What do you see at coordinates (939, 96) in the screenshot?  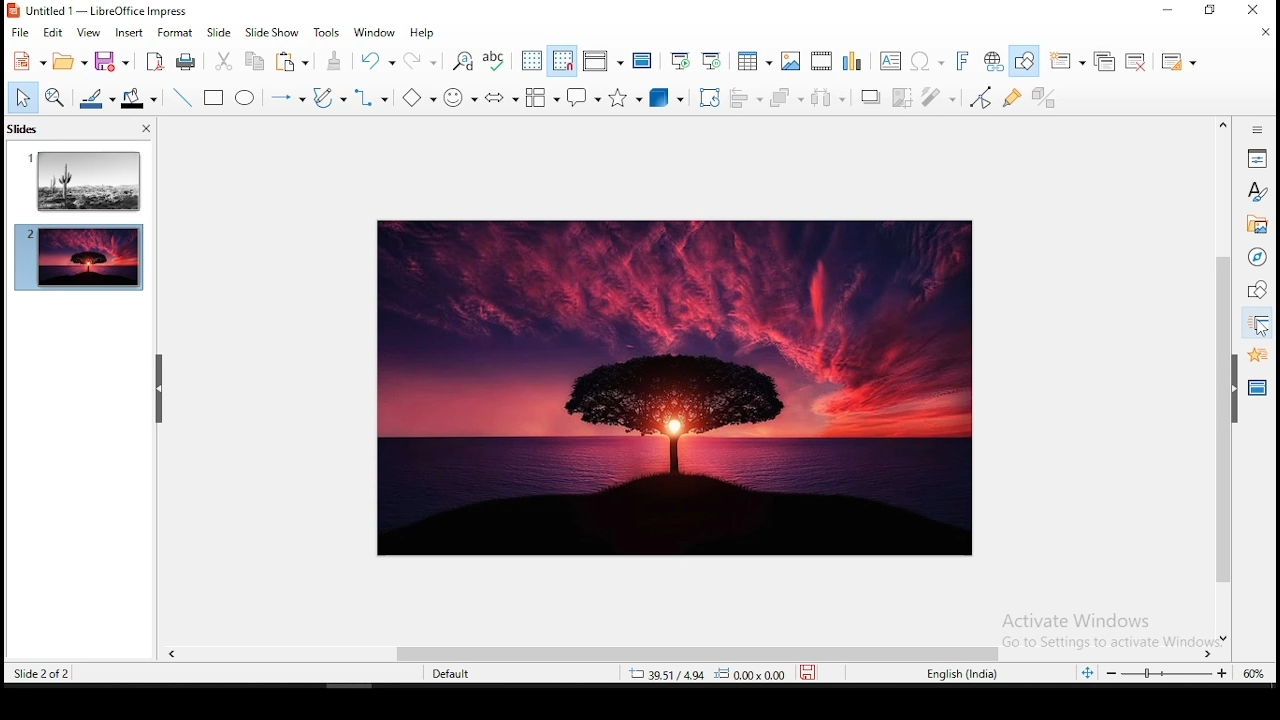 I see `filter` at bounding box center [939, 96].